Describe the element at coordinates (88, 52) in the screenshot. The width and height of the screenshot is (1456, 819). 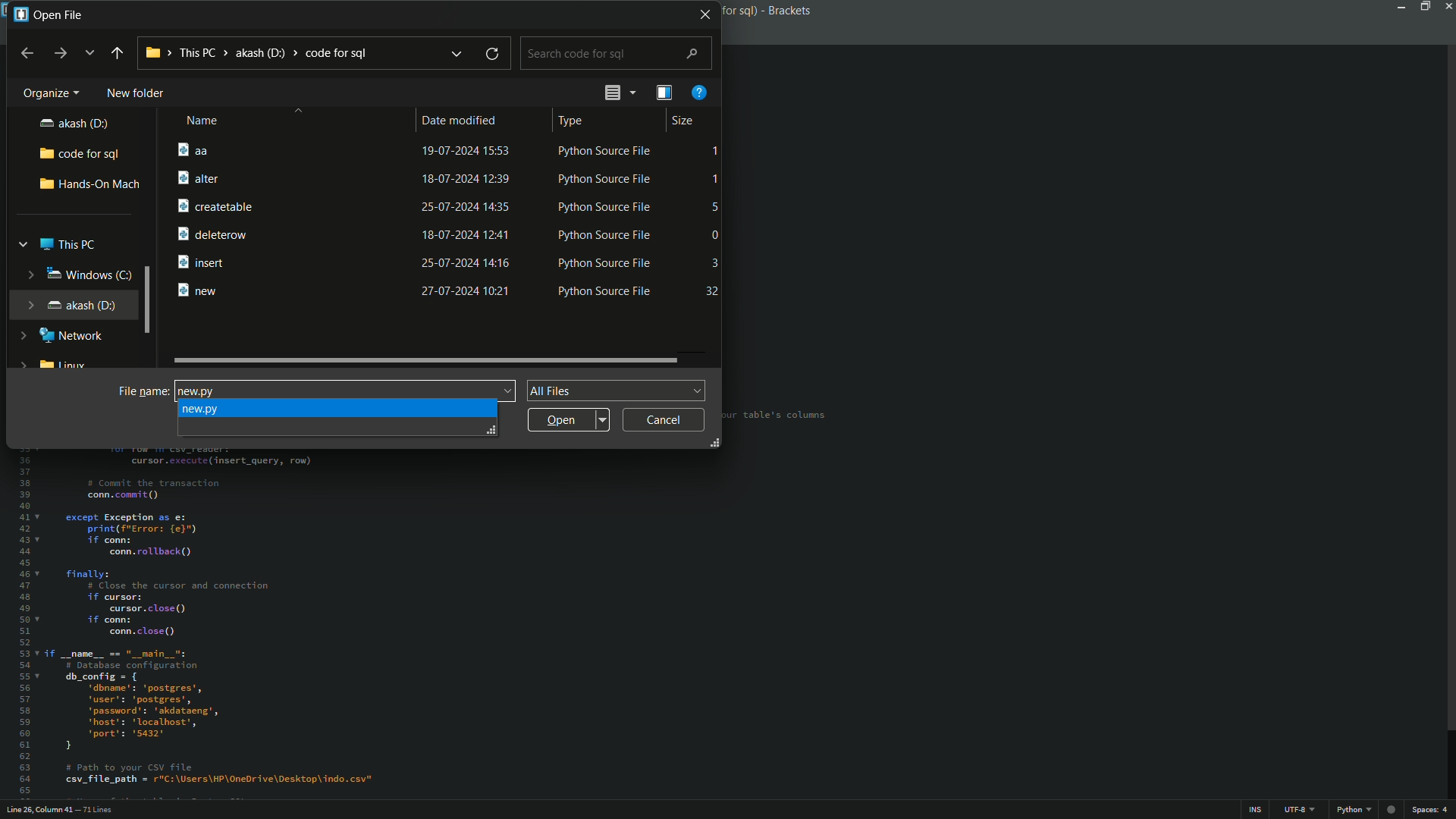
I see `recent location` at that location.